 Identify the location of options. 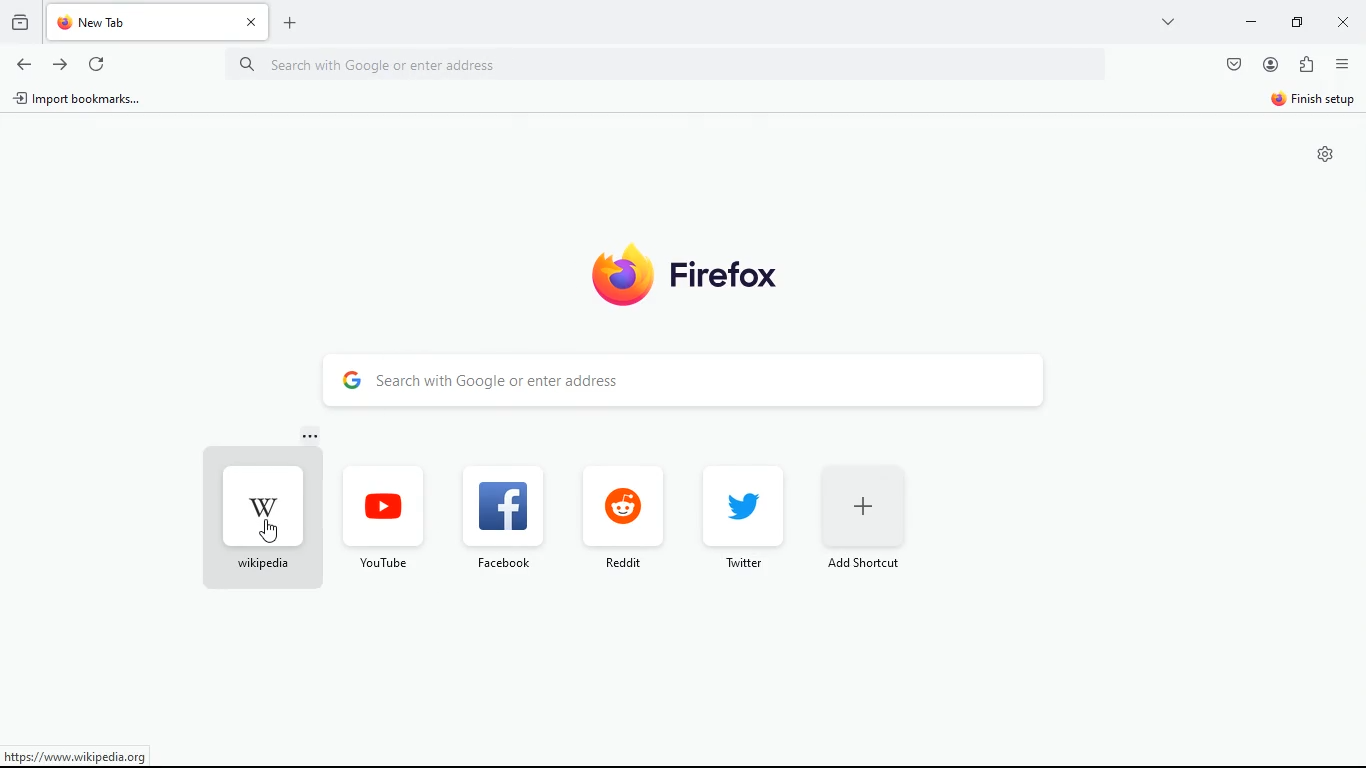
(1342, 64).